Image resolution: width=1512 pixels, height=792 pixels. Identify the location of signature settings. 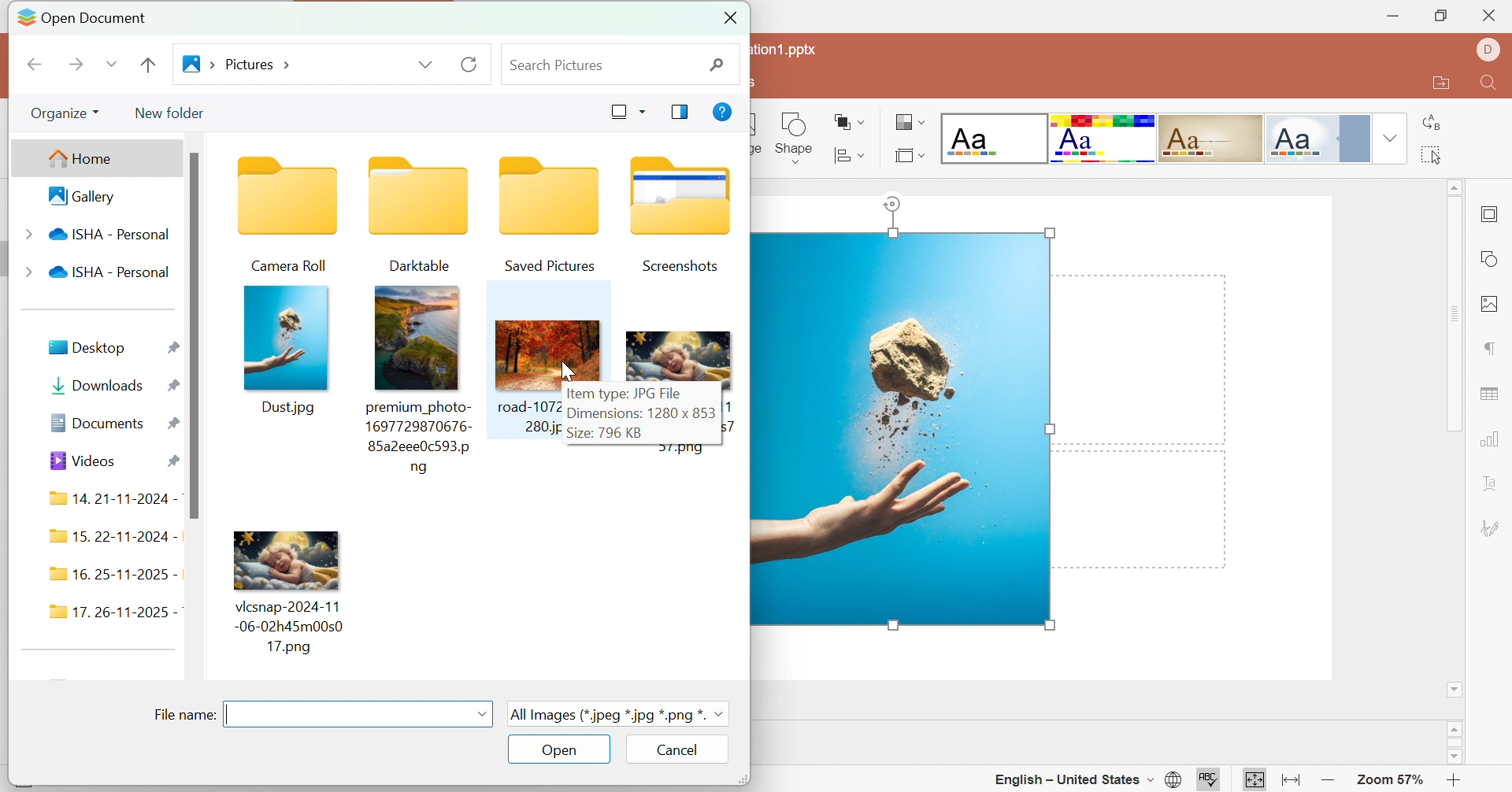
(1495, 529).